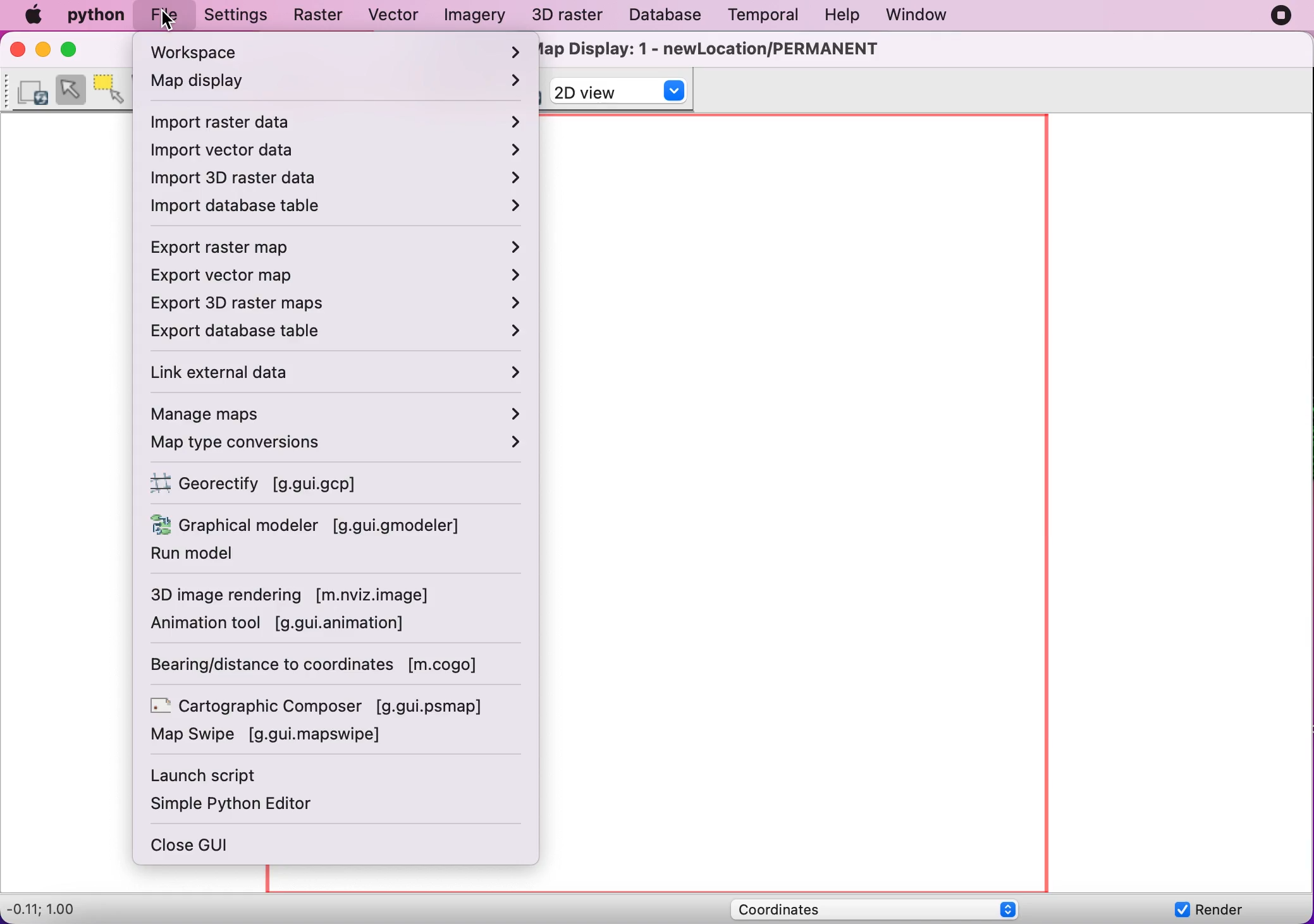 Image resolution: width=1314 pixels, height=924 pixels. Describe the element at coordinates (341, 374) in the screenshot. I see `link external data` at that location.